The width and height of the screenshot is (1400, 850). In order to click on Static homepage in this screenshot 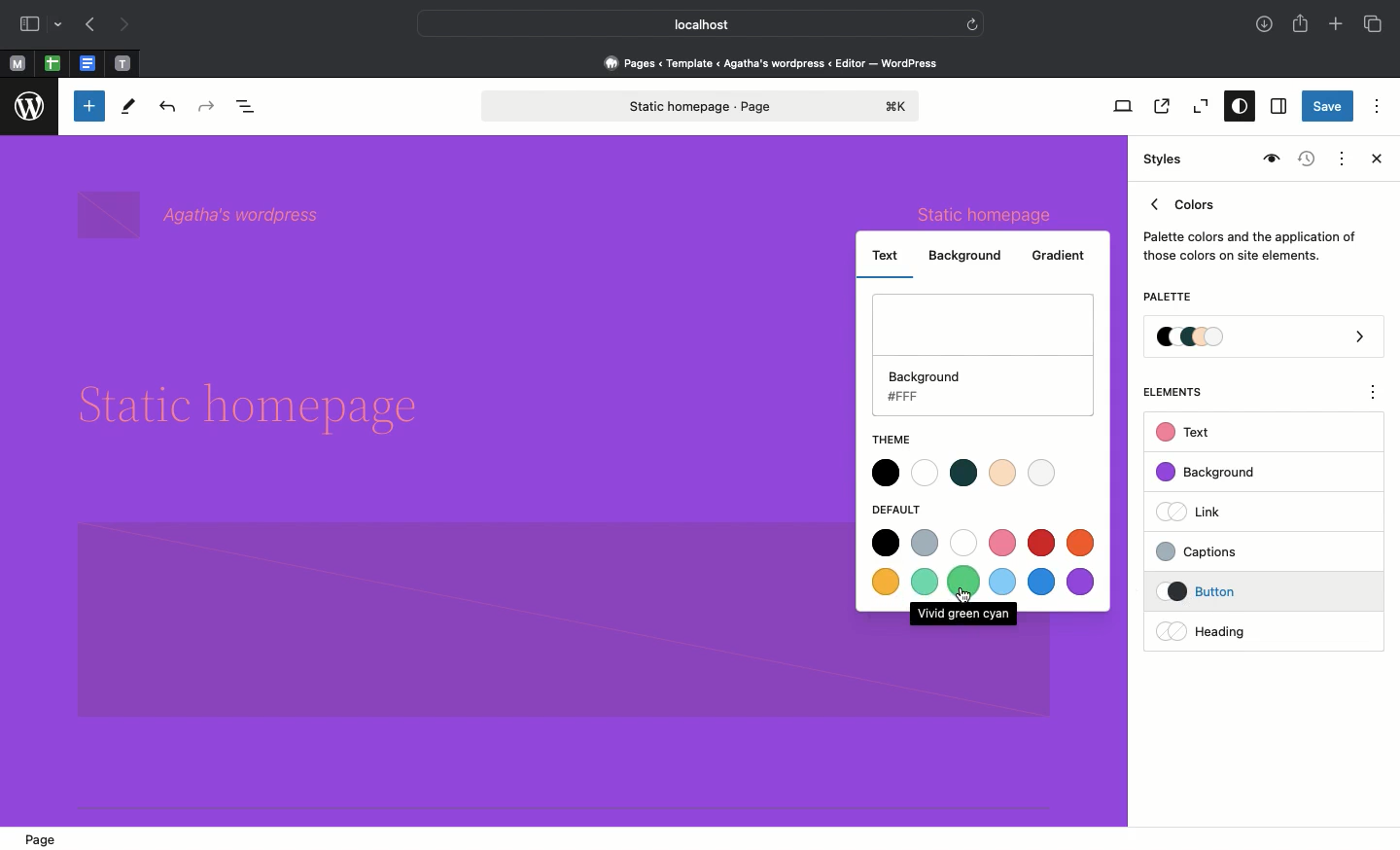, I will do `click(981, 213)`.